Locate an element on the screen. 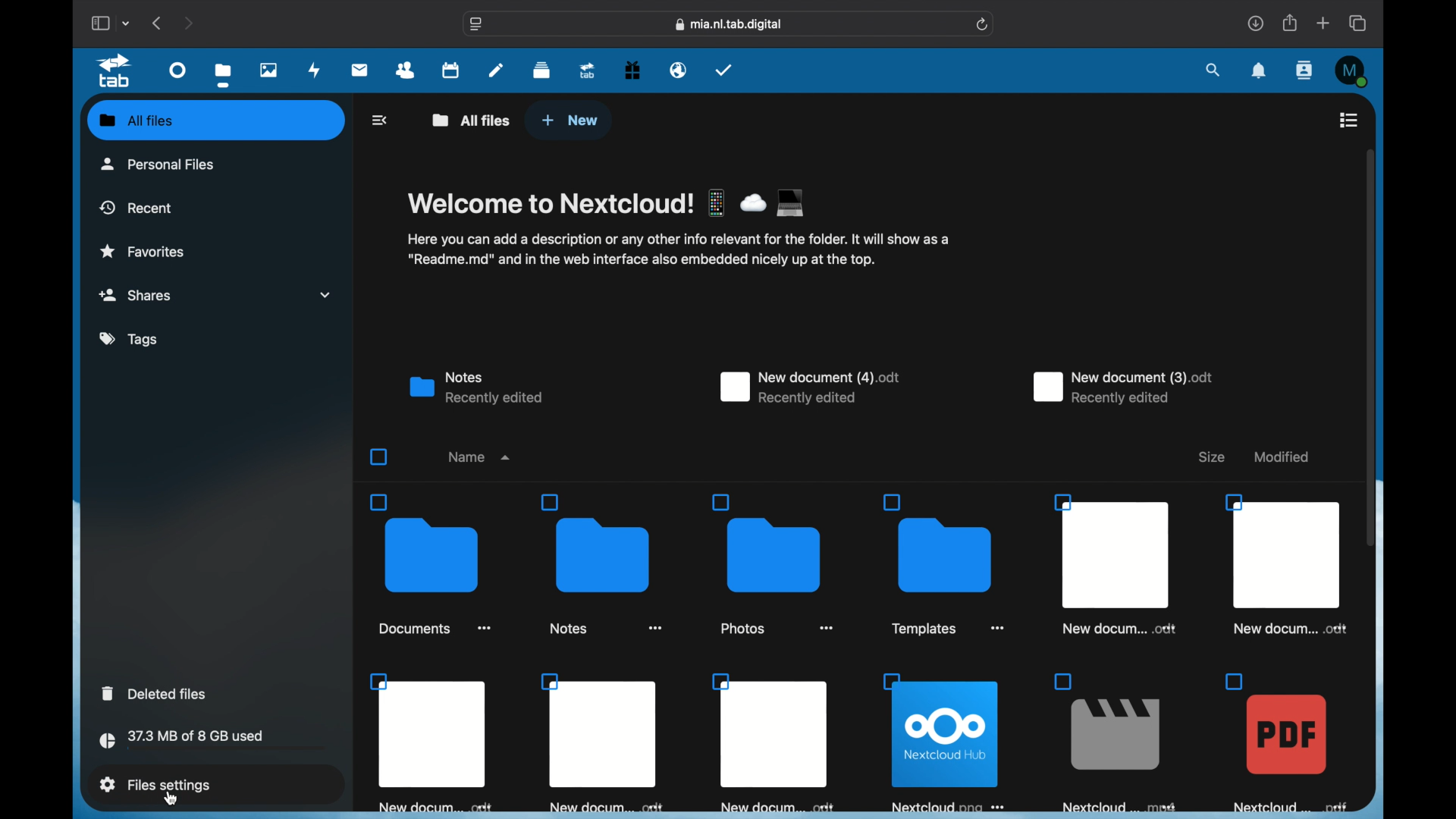 Image resolution: width=1456 pixels, height=819 pixels. new tab is located at coordinates (1323, 23).